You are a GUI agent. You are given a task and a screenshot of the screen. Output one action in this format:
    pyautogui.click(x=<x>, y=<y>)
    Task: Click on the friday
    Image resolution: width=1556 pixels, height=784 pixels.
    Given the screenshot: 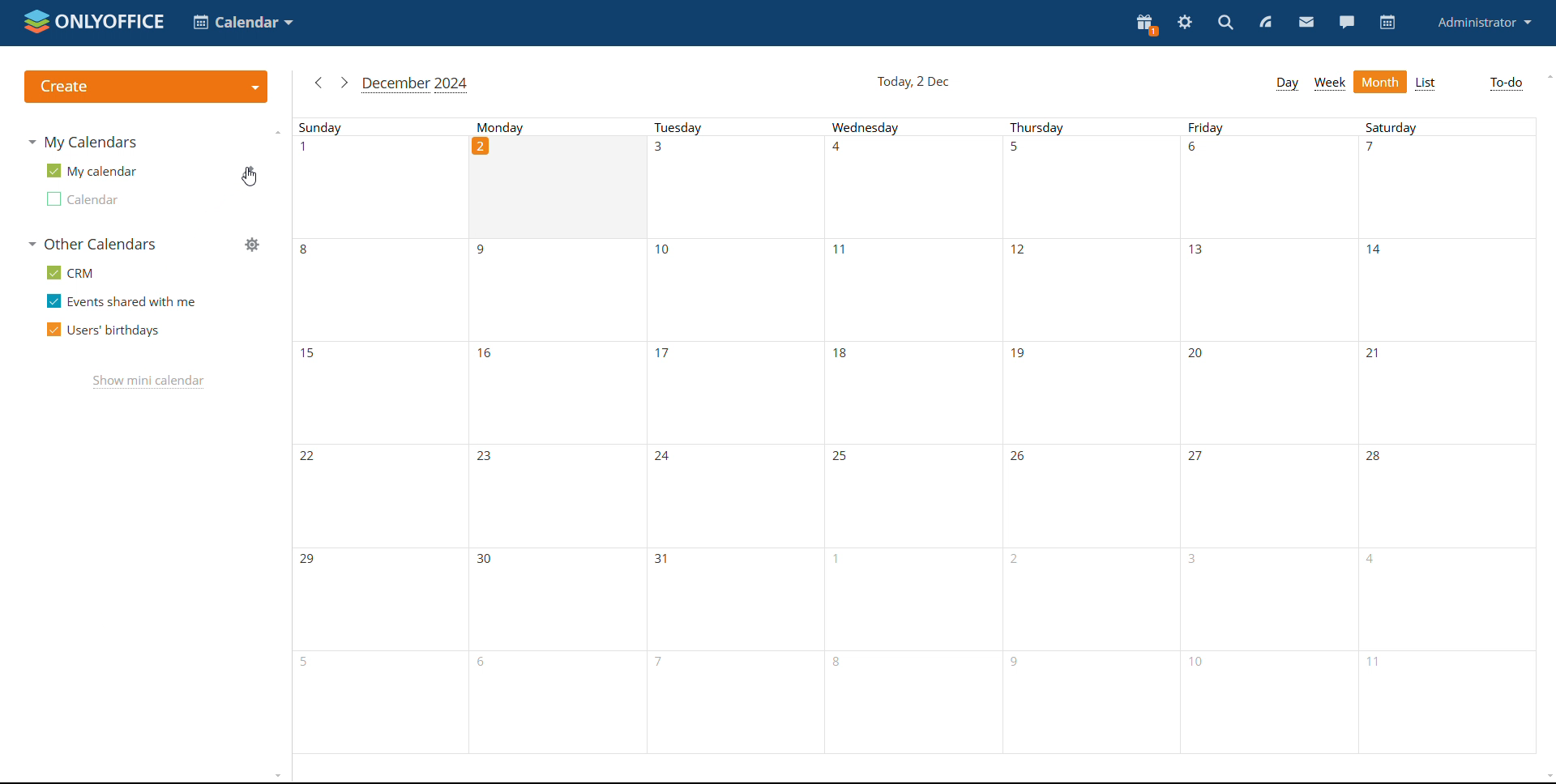 What is the action you would take?
    pyautogui.click(x=1267, y=126)
    